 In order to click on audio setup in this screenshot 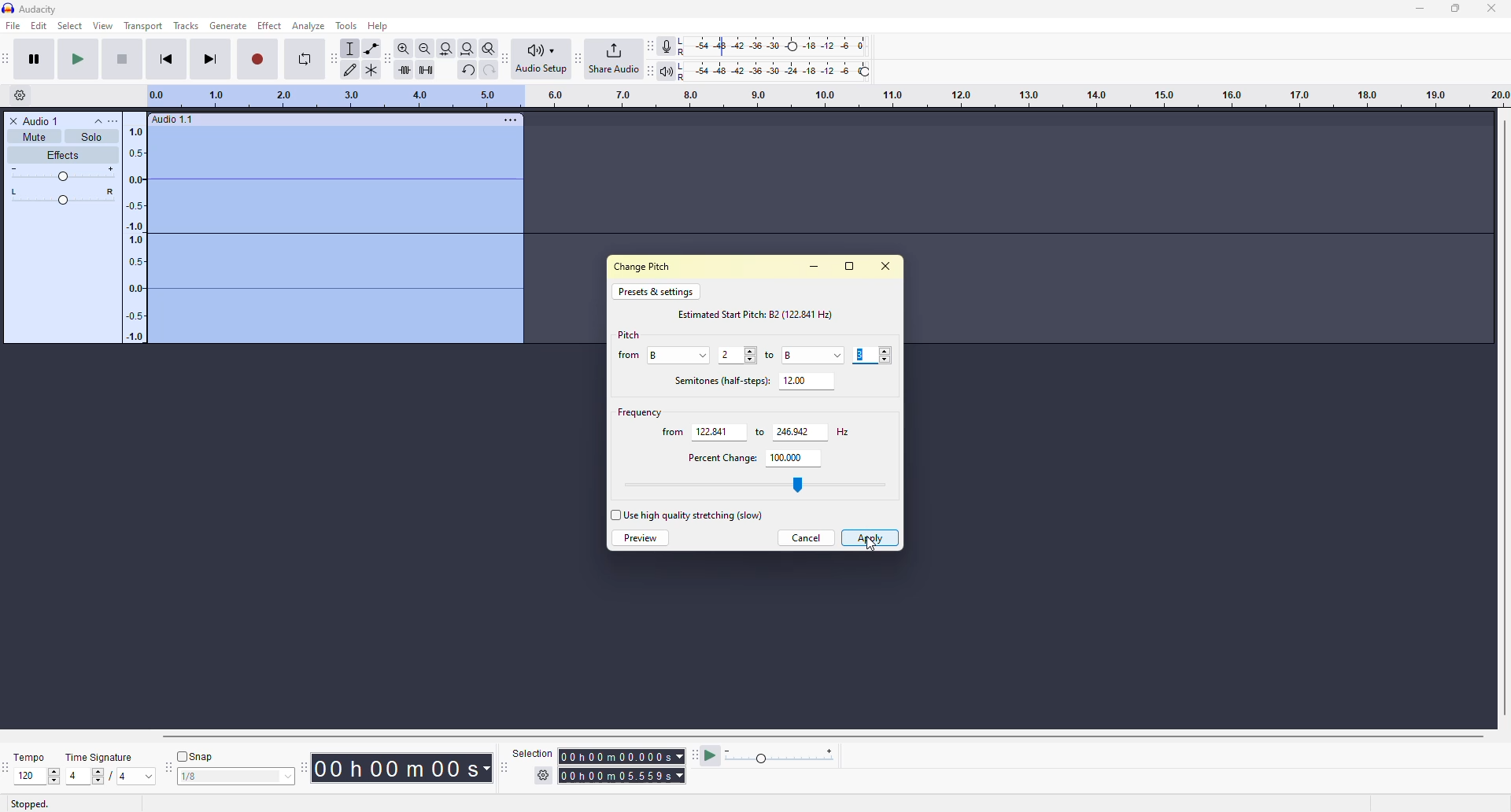, I will do `click(541, 58)`.